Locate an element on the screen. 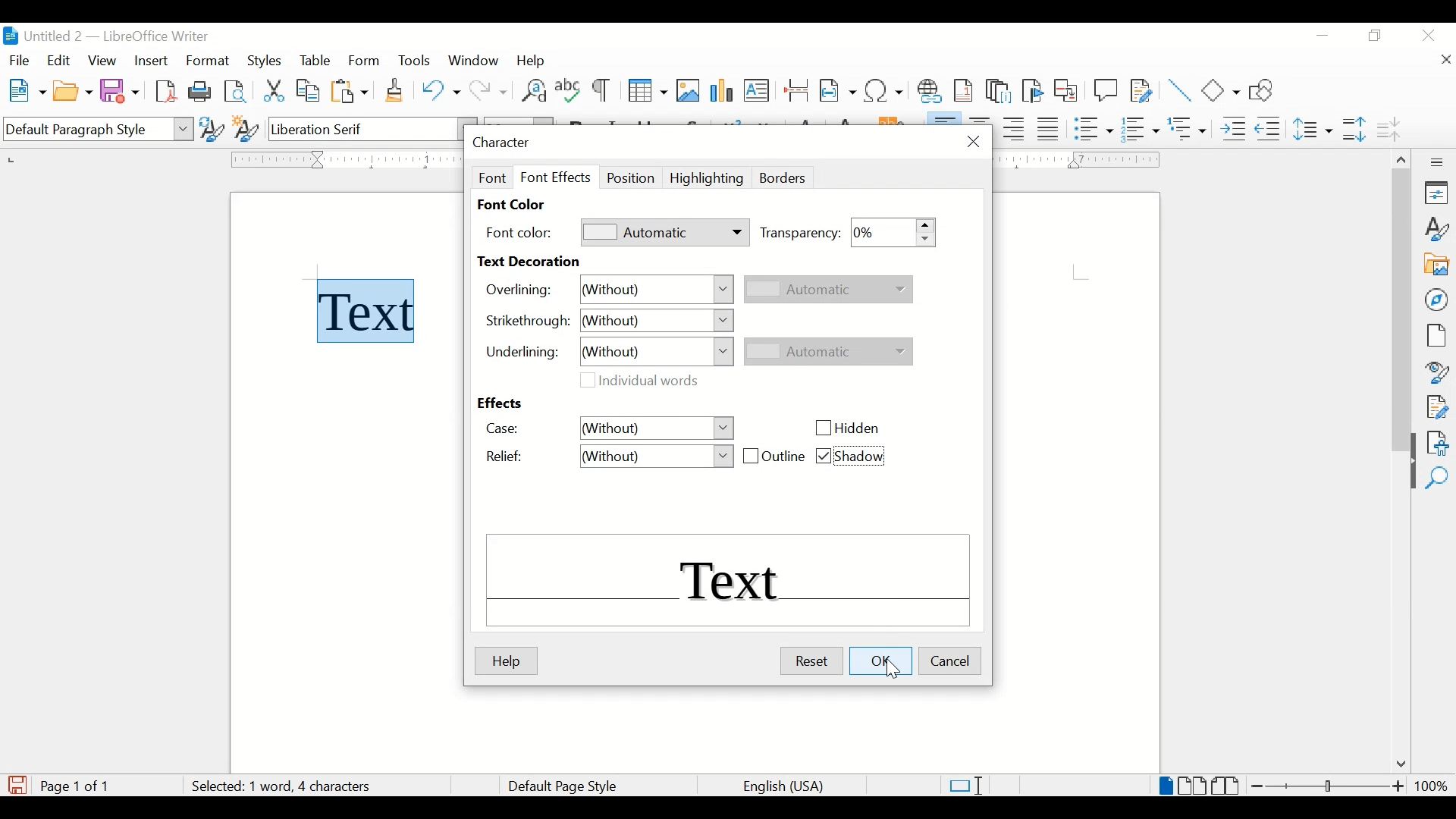  without is located at coordinates (657, 428).